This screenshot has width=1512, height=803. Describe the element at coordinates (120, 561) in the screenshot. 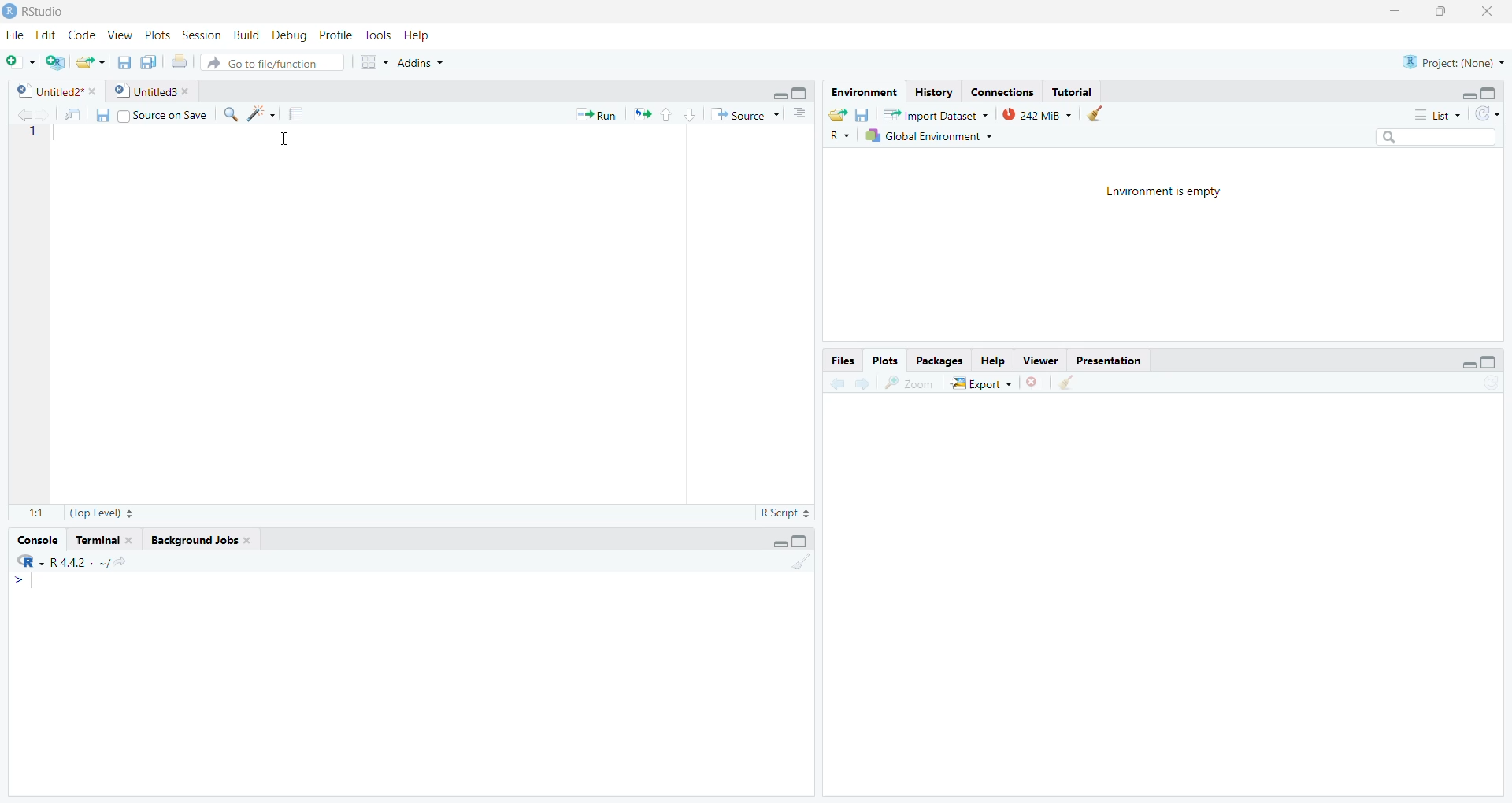

I see `view current working directory` at that location.